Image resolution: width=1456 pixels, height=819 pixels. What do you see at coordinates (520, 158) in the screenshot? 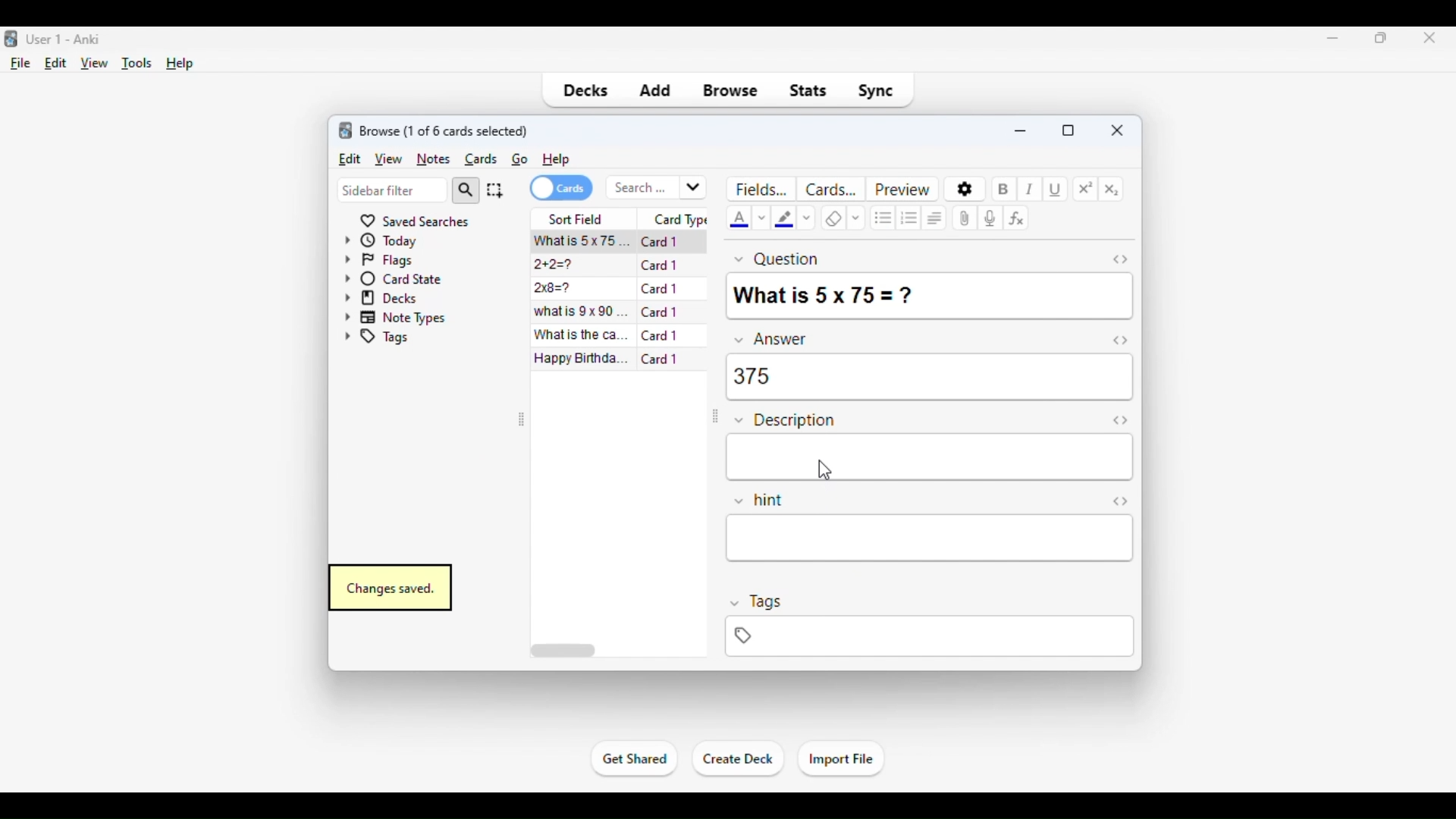
I see `go` at bounding box center [520, 158].